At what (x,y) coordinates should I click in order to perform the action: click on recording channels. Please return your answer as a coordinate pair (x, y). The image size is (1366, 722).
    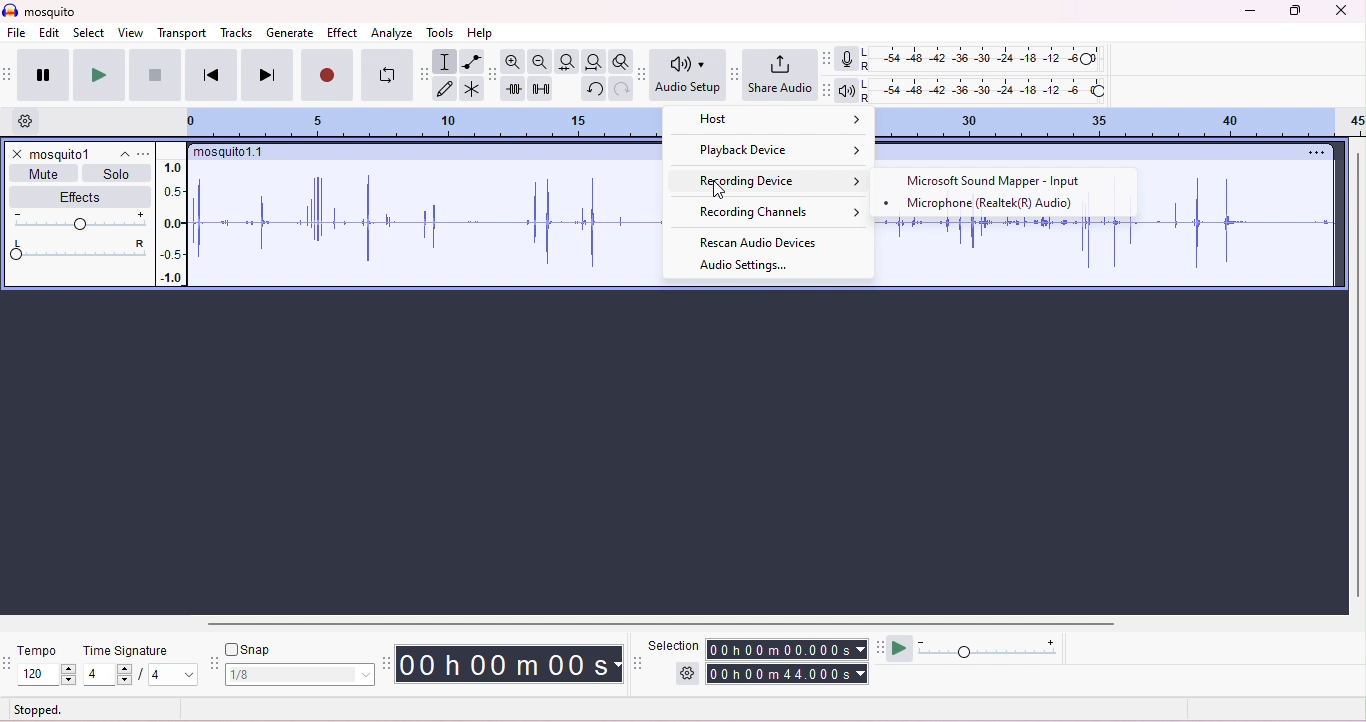
    Looking at the image, I should click on (767, 211).